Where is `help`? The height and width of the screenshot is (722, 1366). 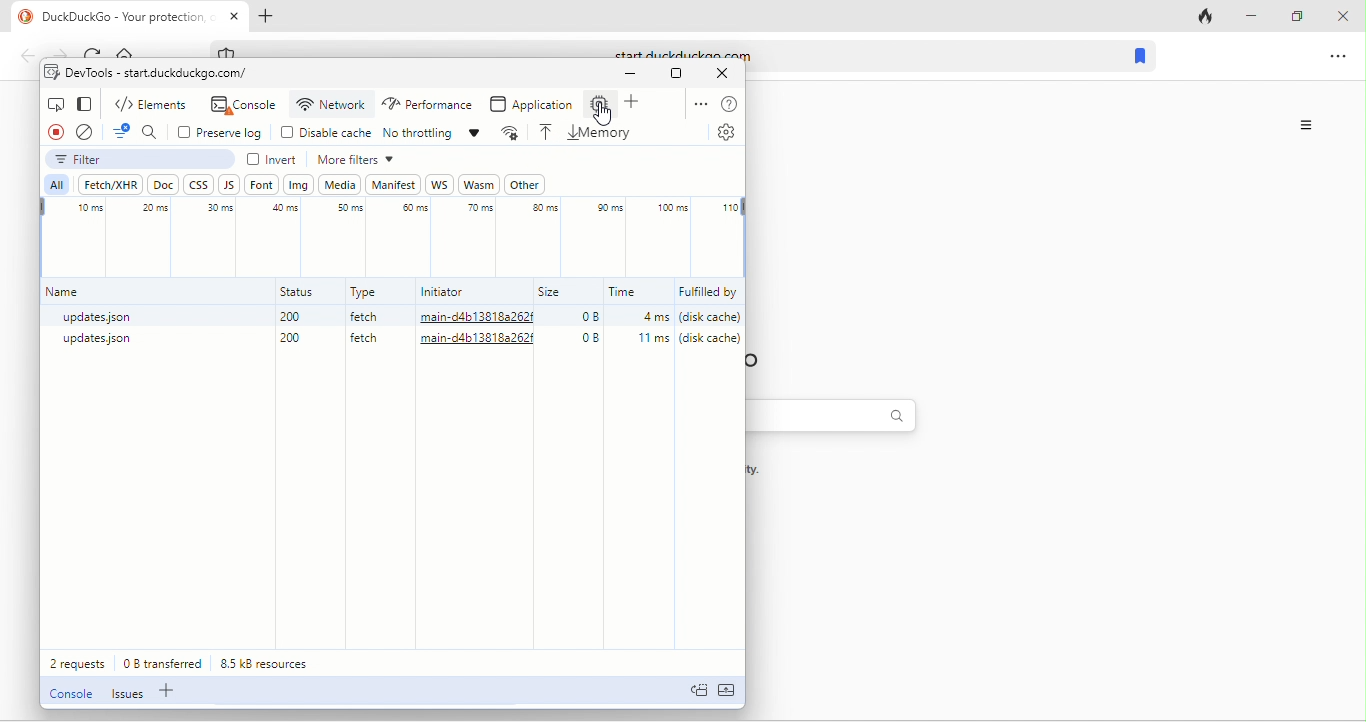 help is located at coordinates (734, 101).